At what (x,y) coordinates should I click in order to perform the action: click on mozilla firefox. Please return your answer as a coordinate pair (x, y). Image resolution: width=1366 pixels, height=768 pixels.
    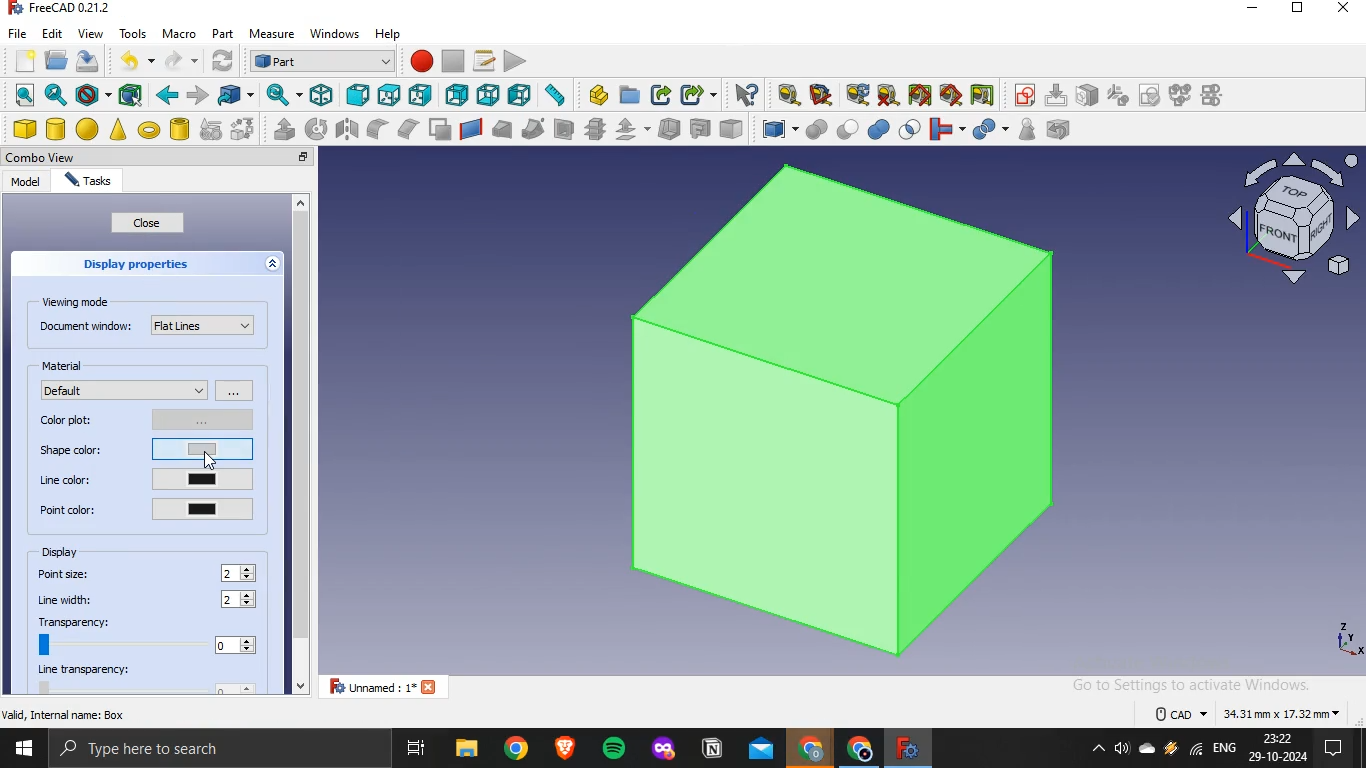
    Looking at the image, I should click on (664, 751).